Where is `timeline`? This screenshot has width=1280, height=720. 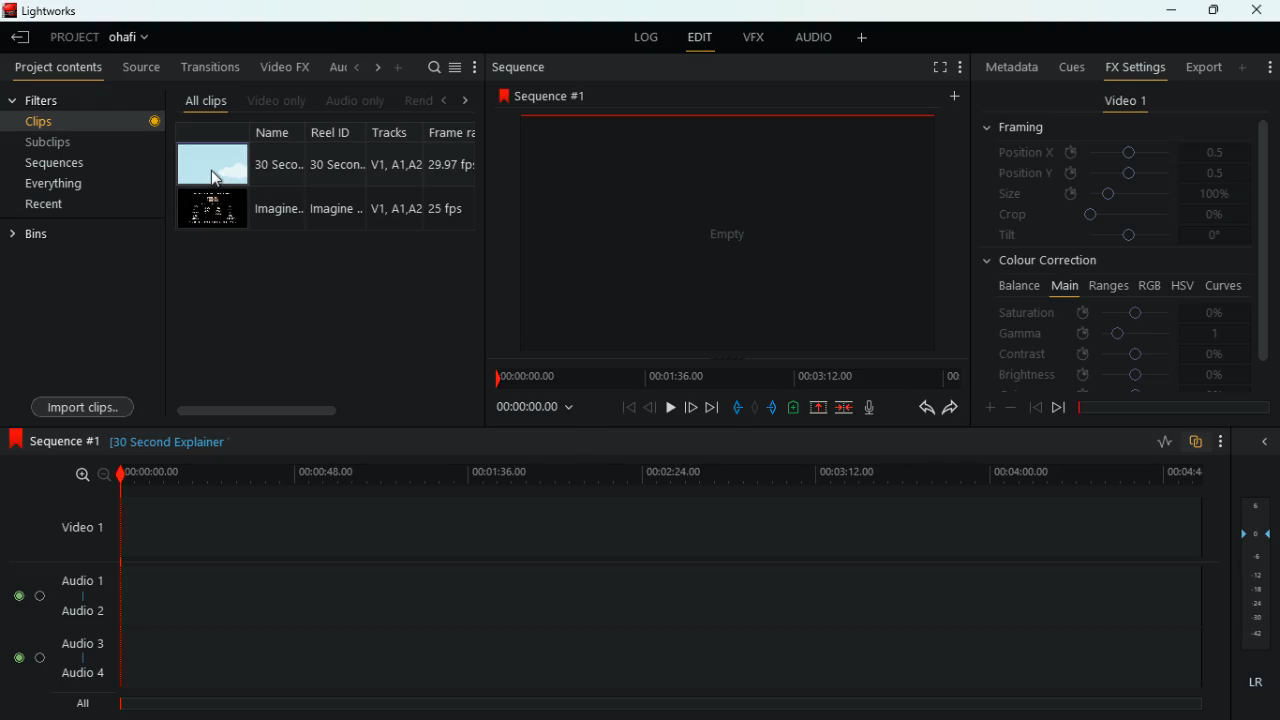
timeline is located at coordinates (1178, 409).